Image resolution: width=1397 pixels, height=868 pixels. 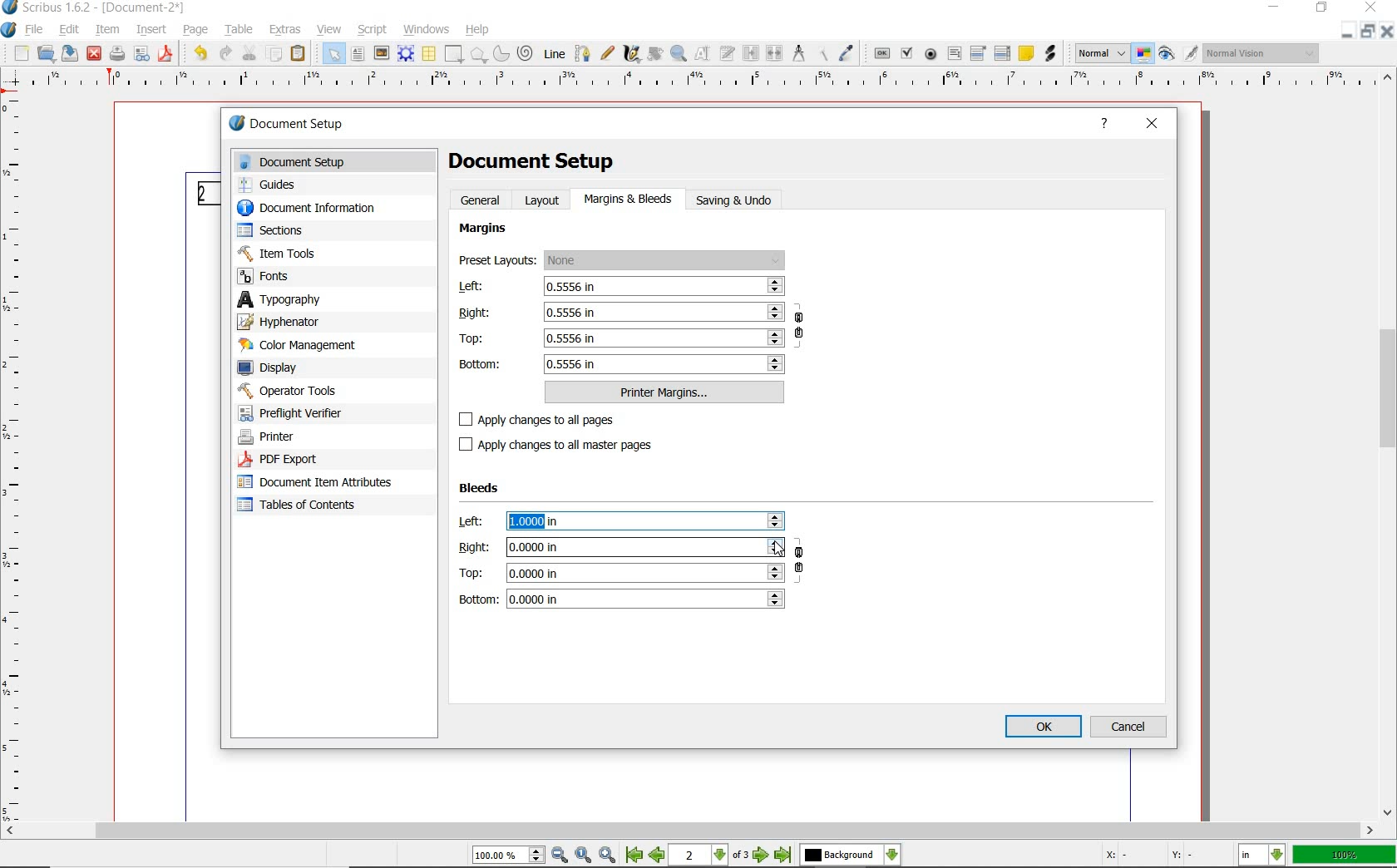 What do you see at coordinates (659, 857) in the screenshot?
I see `Previous Page` at bounding box center [659, 857].